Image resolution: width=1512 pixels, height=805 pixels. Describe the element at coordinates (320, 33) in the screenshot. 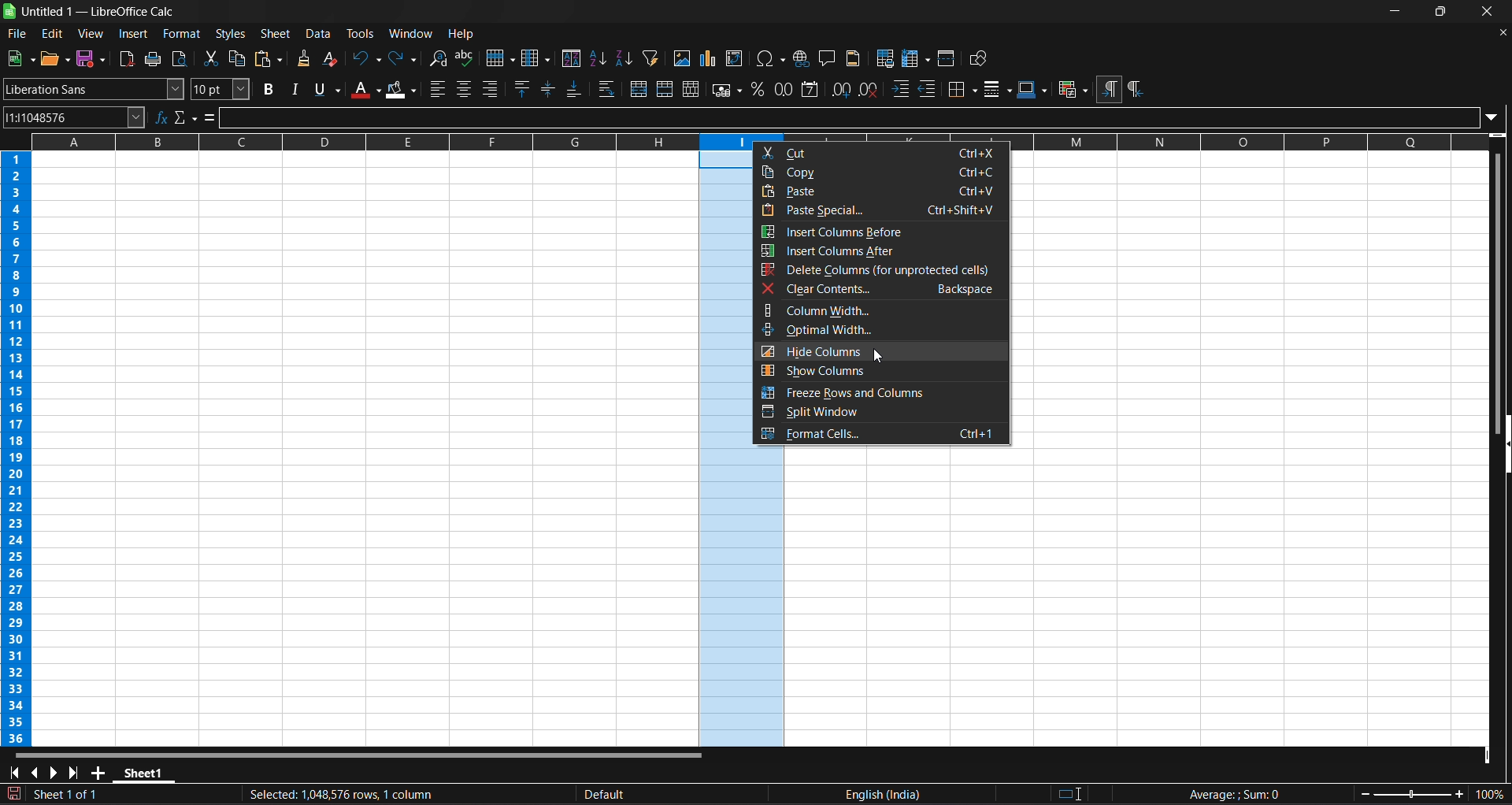

I see `data` at that location.